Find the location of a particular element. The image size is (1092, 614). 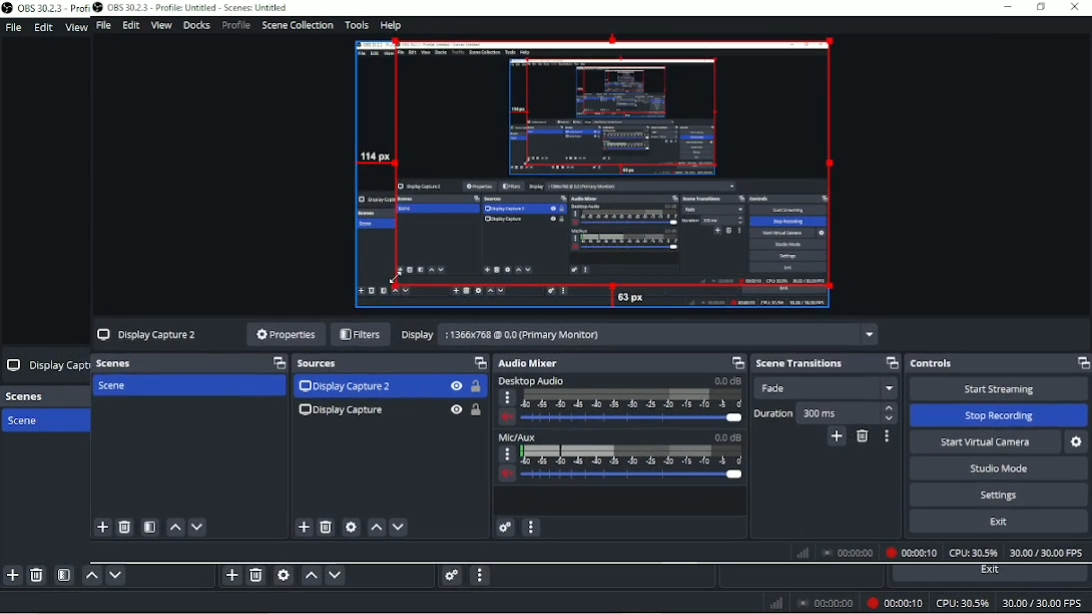

Move source(s) up is located at coordinates (311, 577).